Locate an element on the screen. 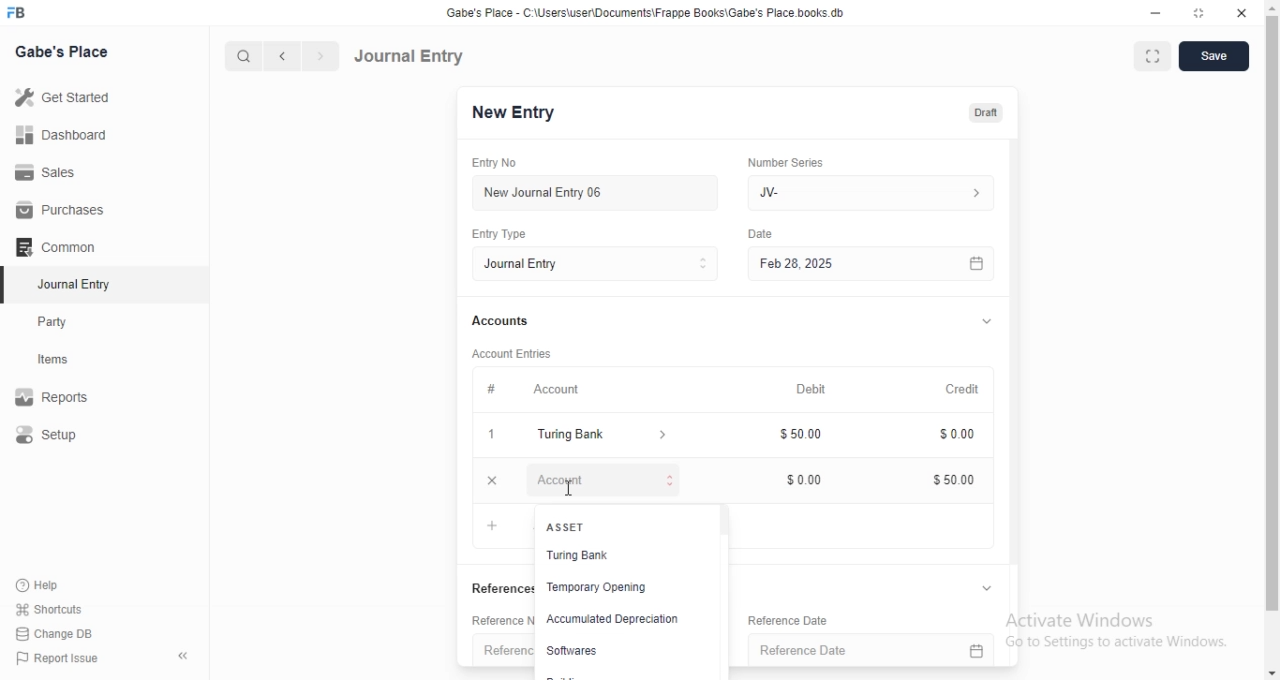 The image size is (1280, 680). 1 is located at coordinates (496, 435).